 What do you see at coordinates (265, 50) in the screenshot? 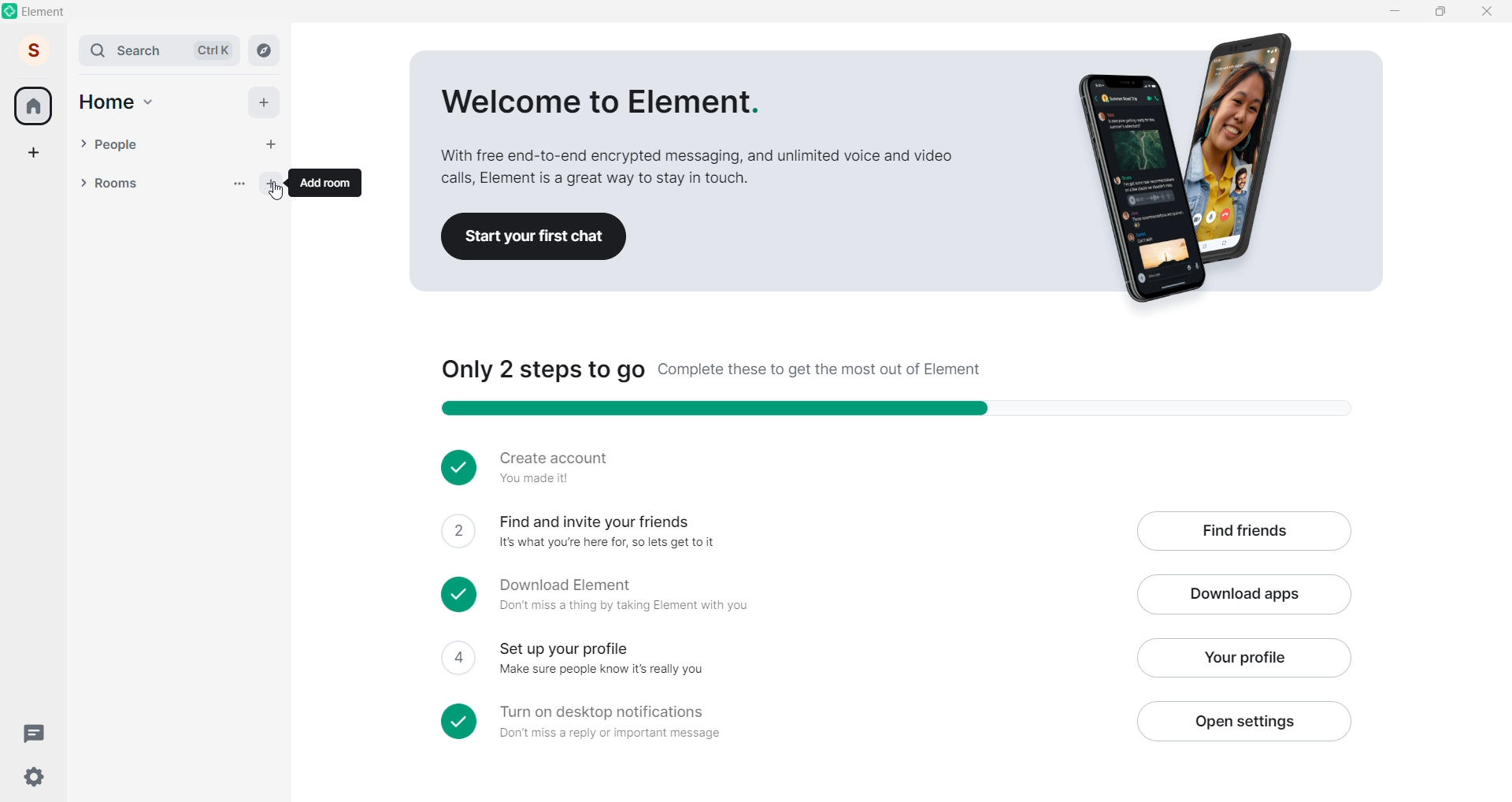
I see `Explore Rooms` at bounding box center [265, 50].